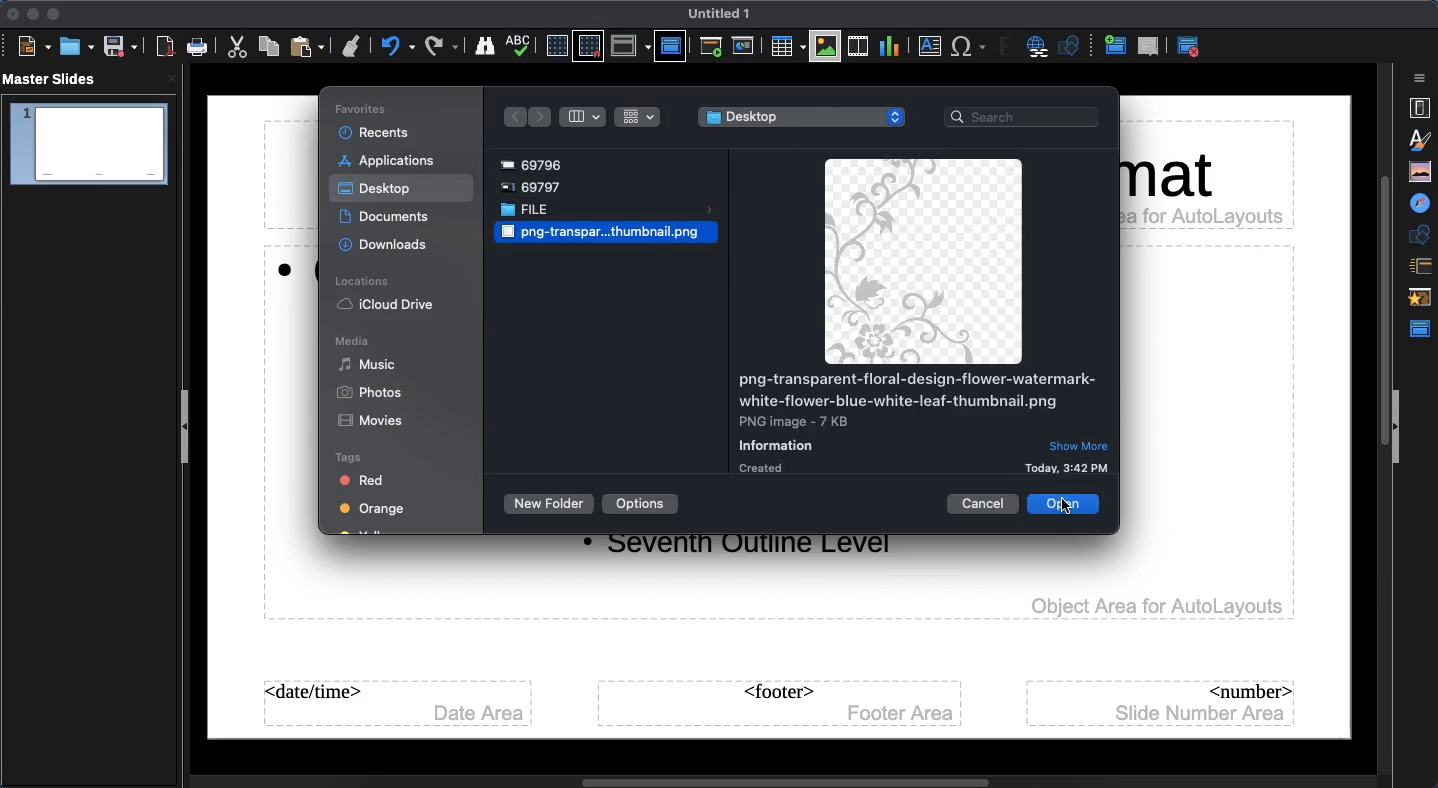 This screenshot has width=1438, height=788. What do you see at coordinates (797, 421) in the screenshot?
I see `PNG image - 7 KB` at bounding box center [797, 421].